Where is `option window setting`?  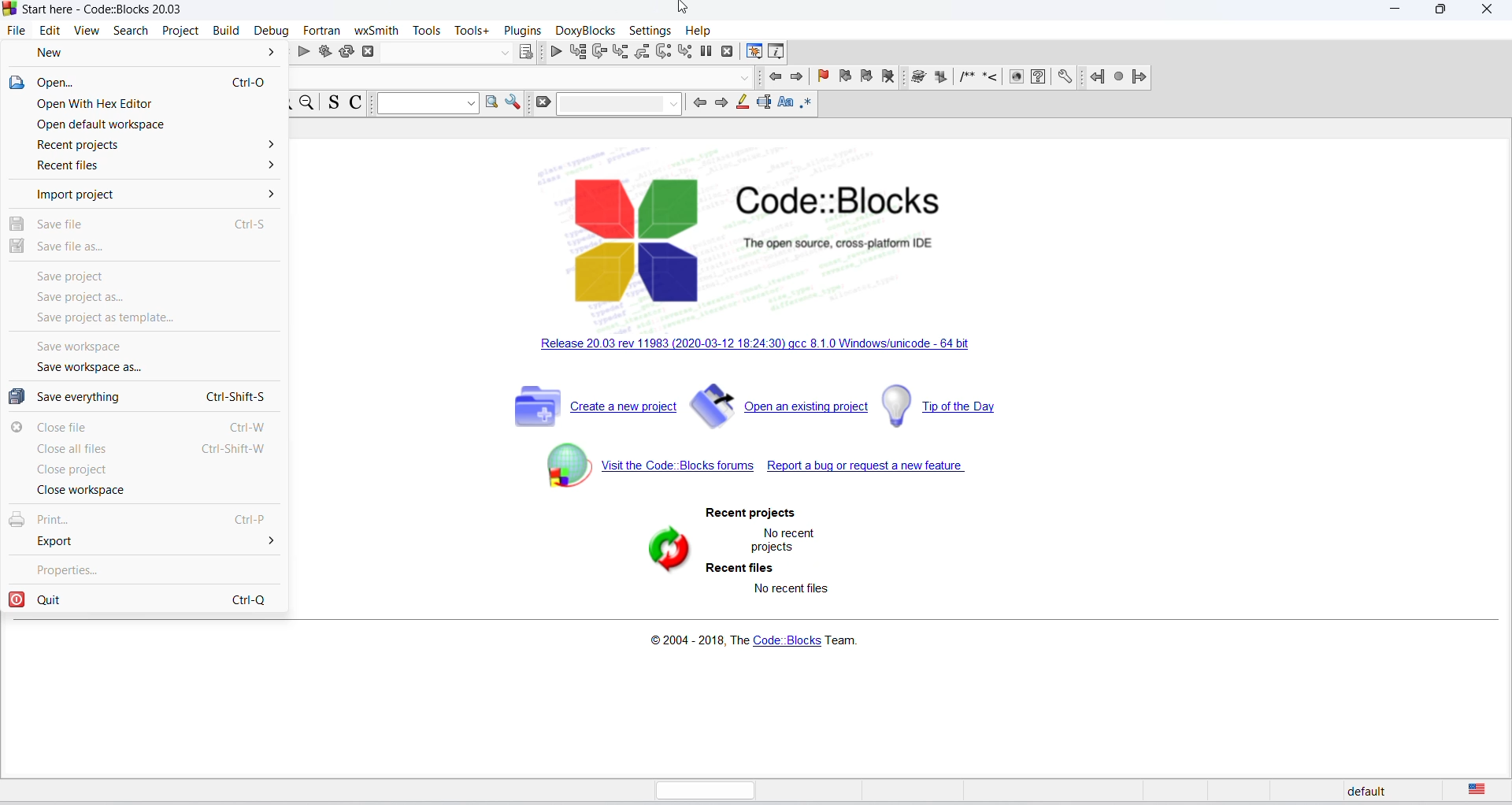 option window setting is located at coordinates (513, 103).